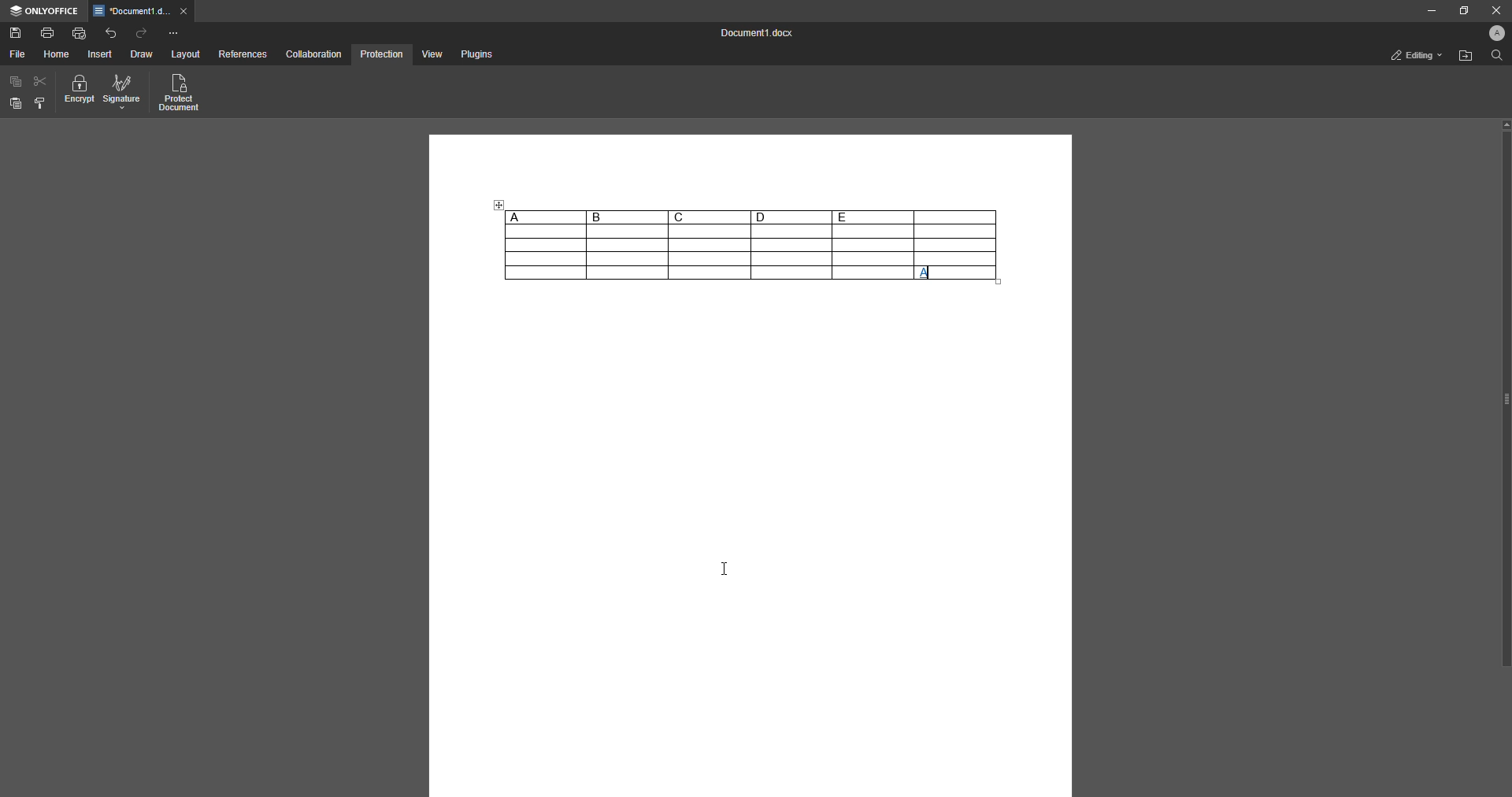  Describe the element at coordinates (1493, 35) in the screenshot. I see `Profile` at that location.